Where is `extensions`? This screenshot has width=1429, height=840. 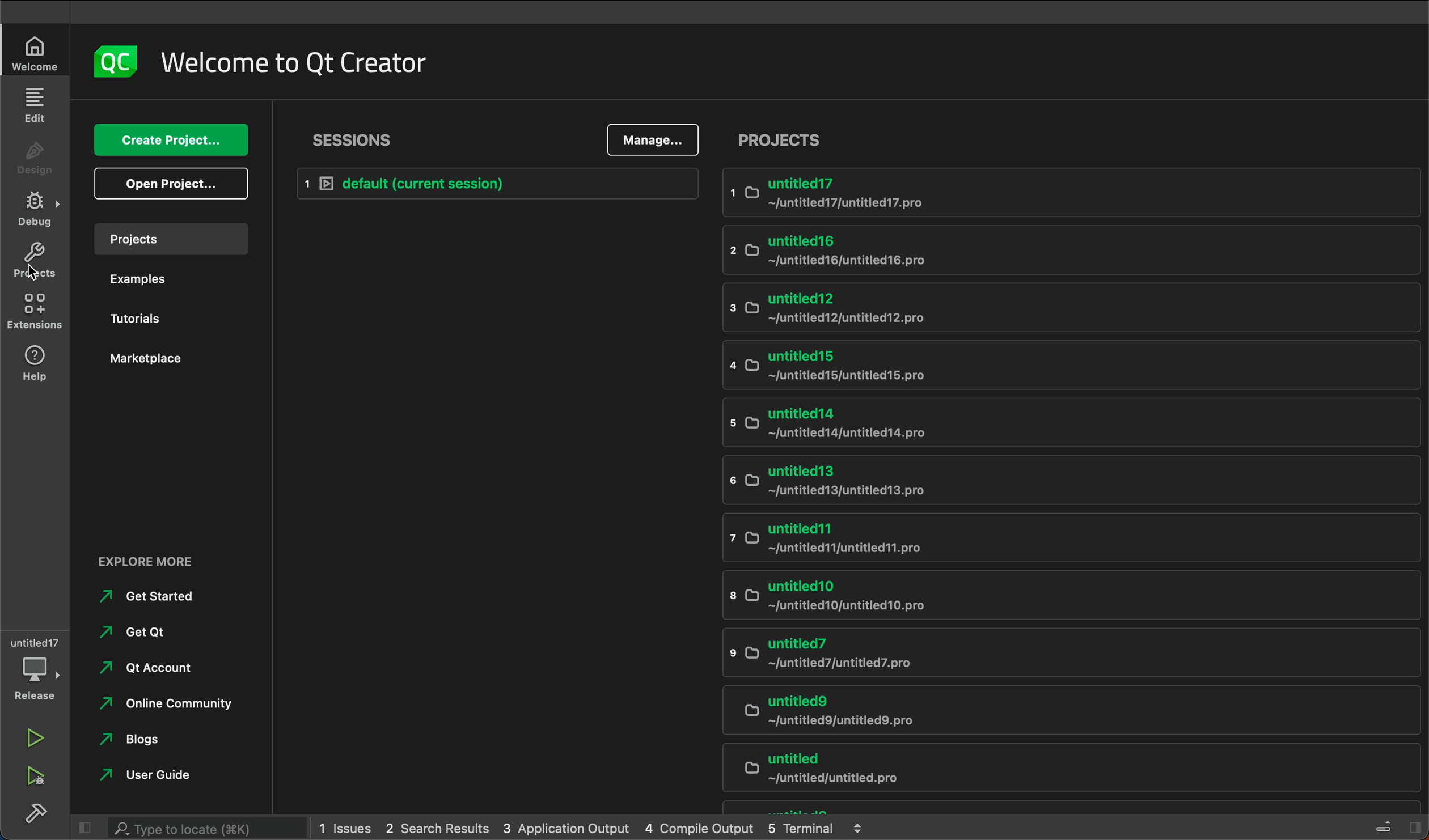
extensions is located at coordinates (36, 315).